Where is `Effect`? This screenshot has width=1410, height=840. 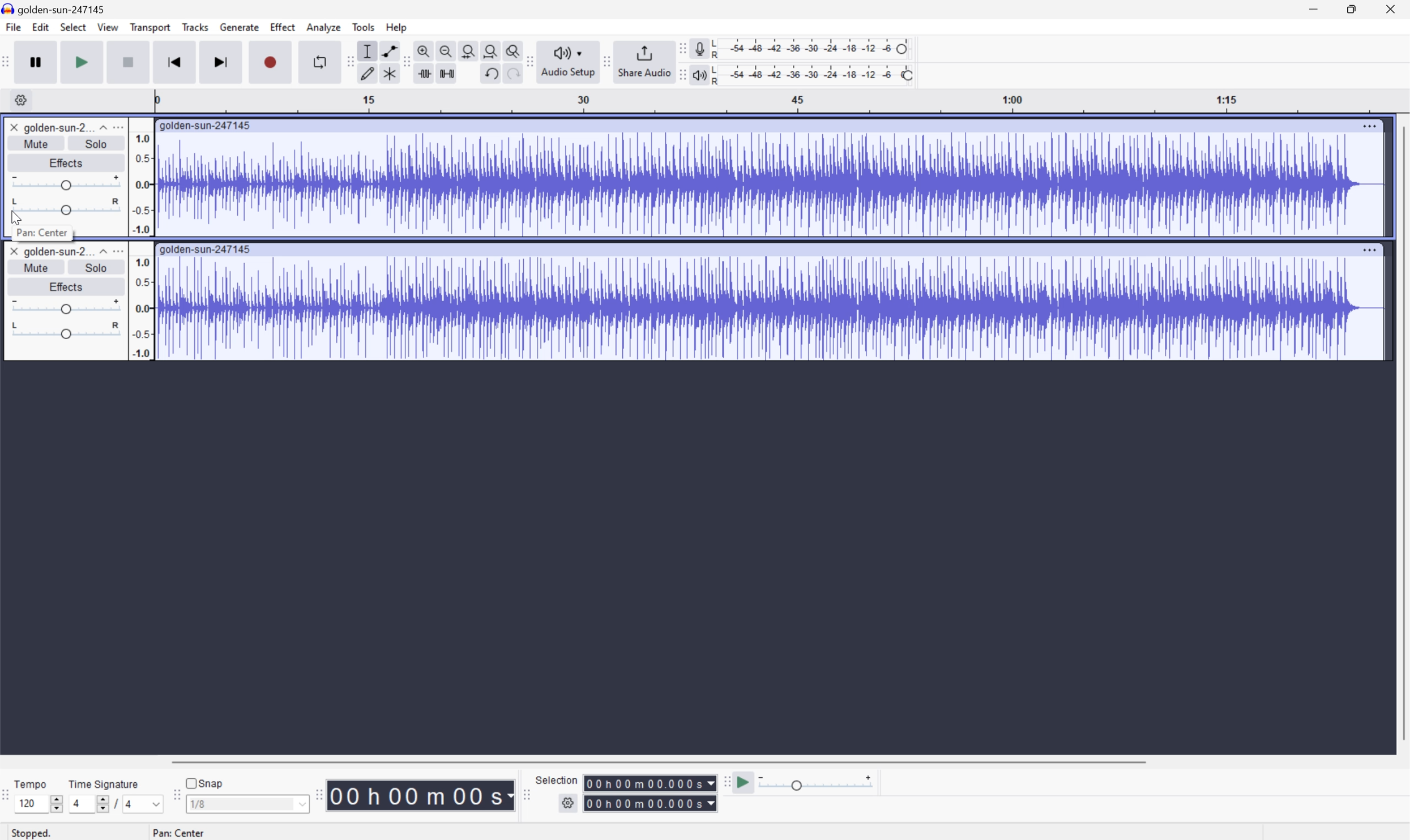
Effect is located at coordinates (283, 28).